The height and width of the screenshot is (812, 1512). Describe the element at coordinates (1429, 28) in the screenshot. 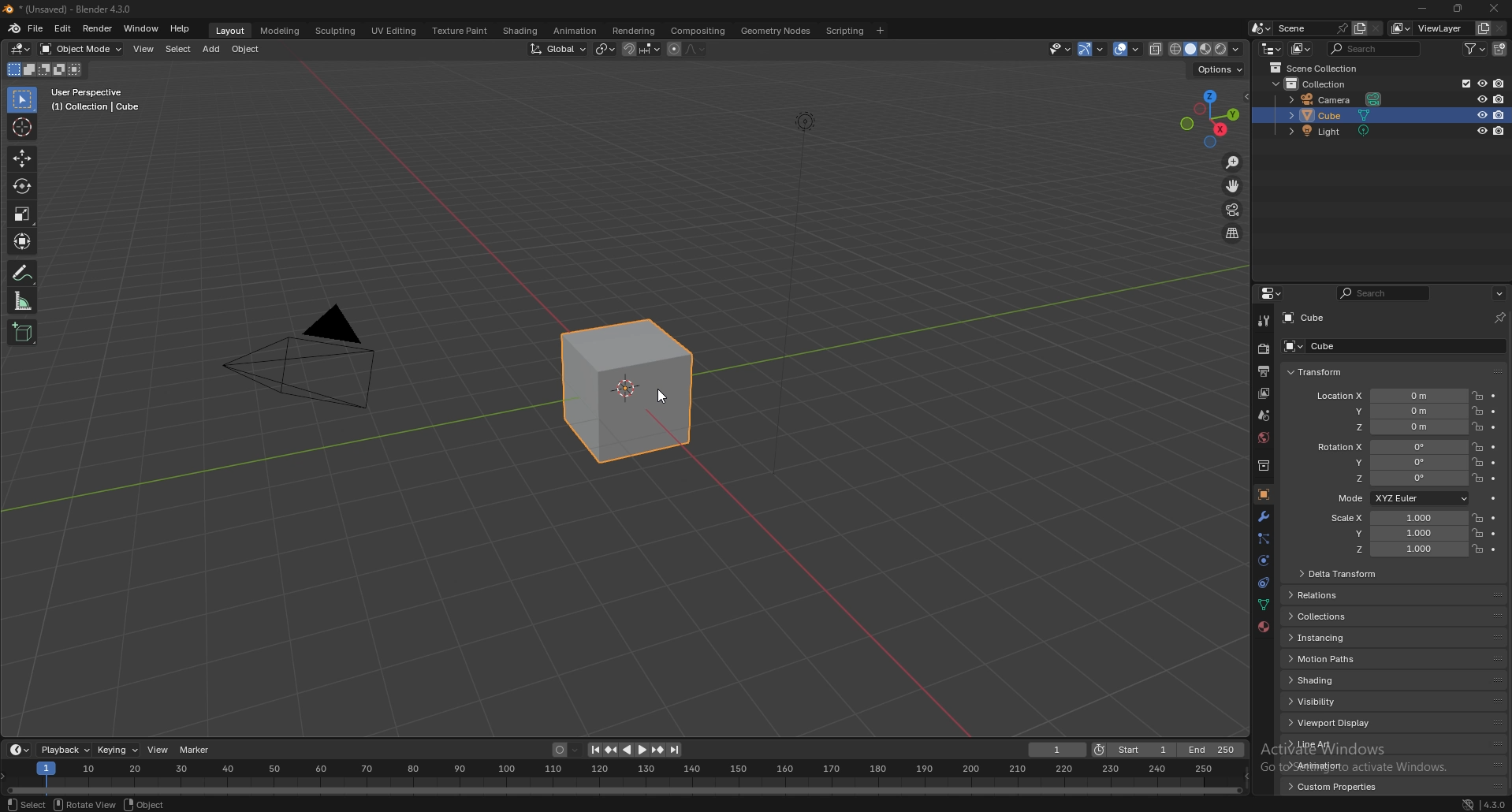

I see `viewlayer` at that location.